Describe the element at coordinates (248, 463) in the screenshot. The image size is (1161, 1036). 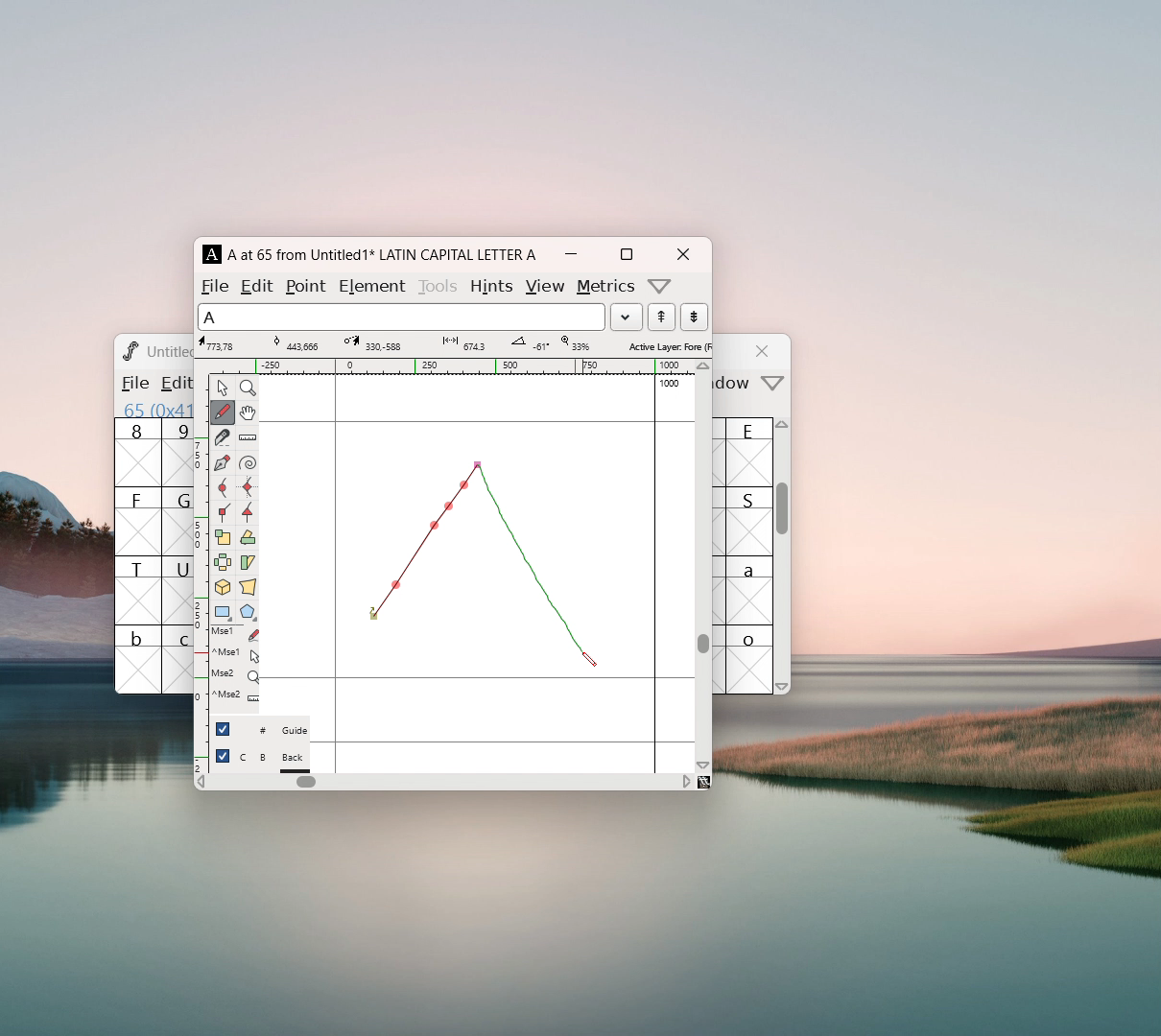
I see `toggle spiro` at that location.